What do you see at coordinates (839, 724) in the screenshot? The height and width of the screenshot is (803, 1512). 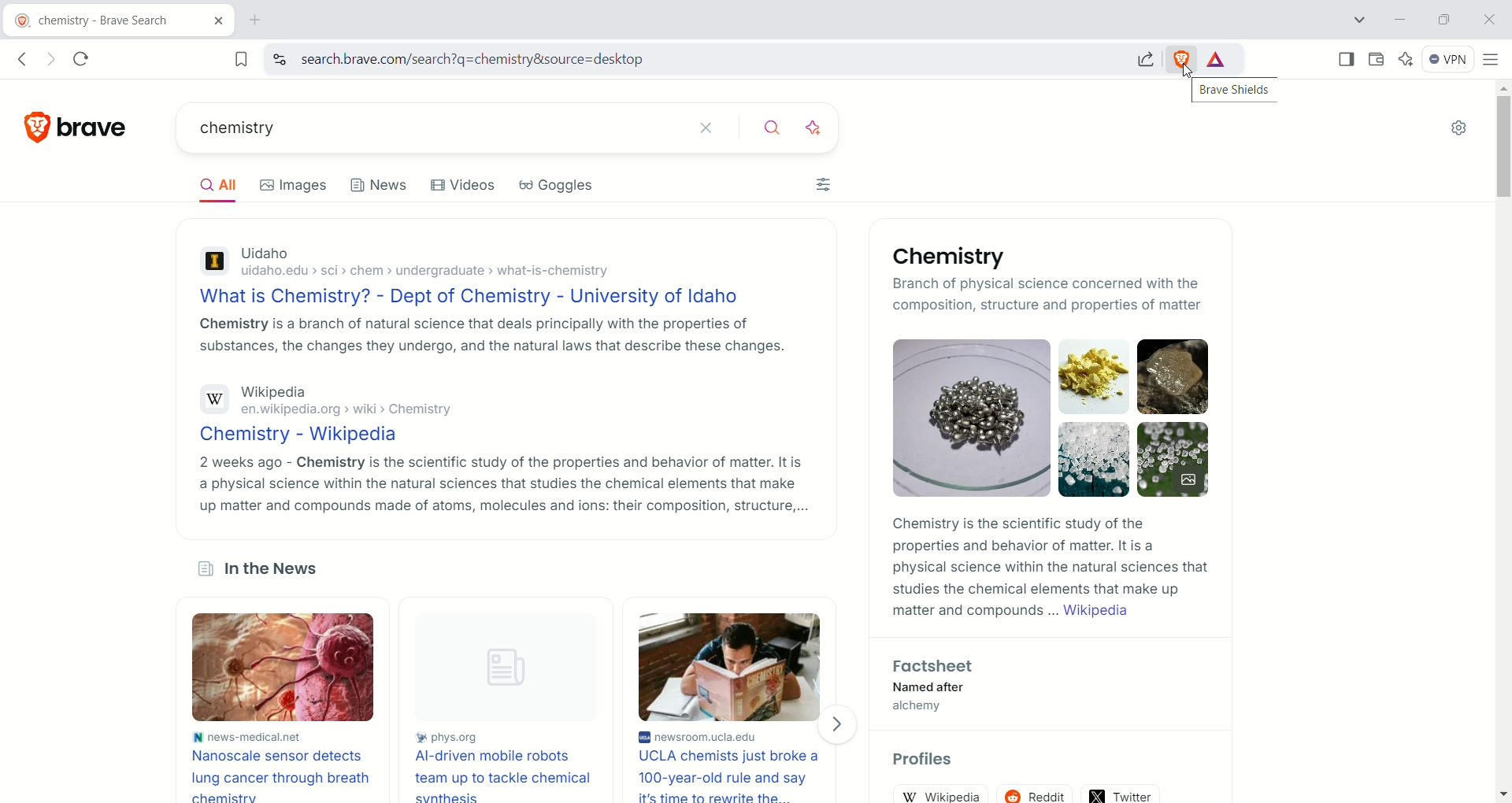 I see `next` at bounding box center [839, 724].